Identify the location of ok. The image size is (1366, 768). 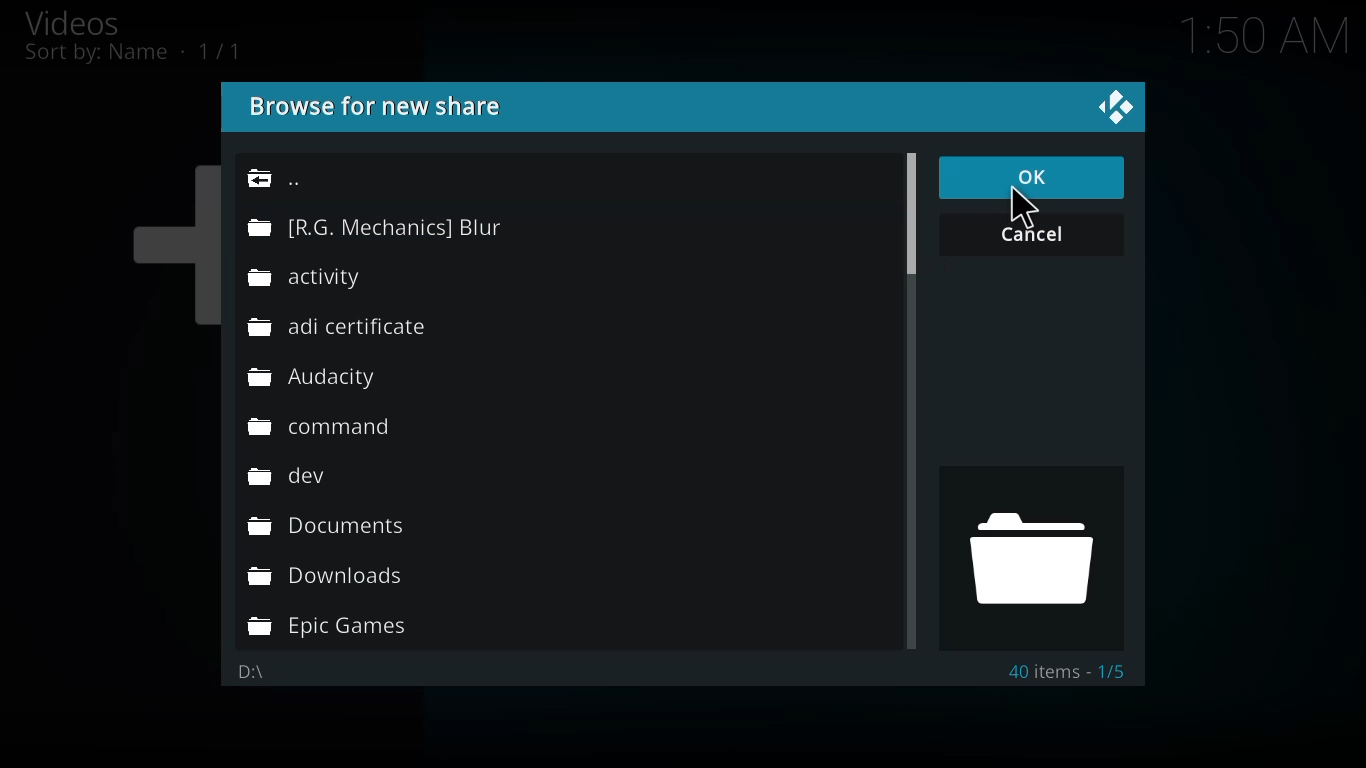
(1034, 175).